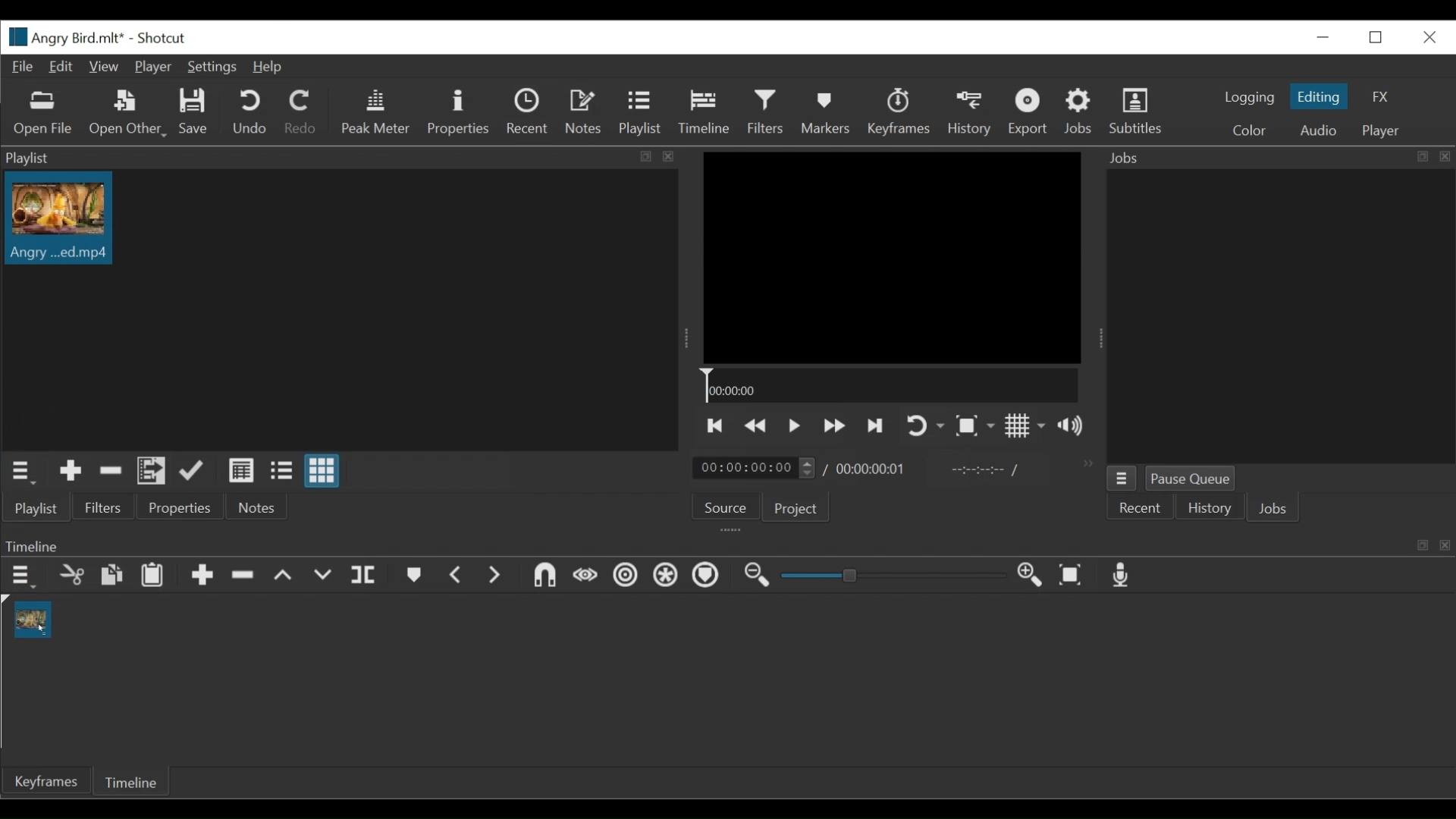 This screenshot has width=1456, height=819. Describe the element at coordinates (1273, 510) in the screenshot. I see `Jobs` at that location.